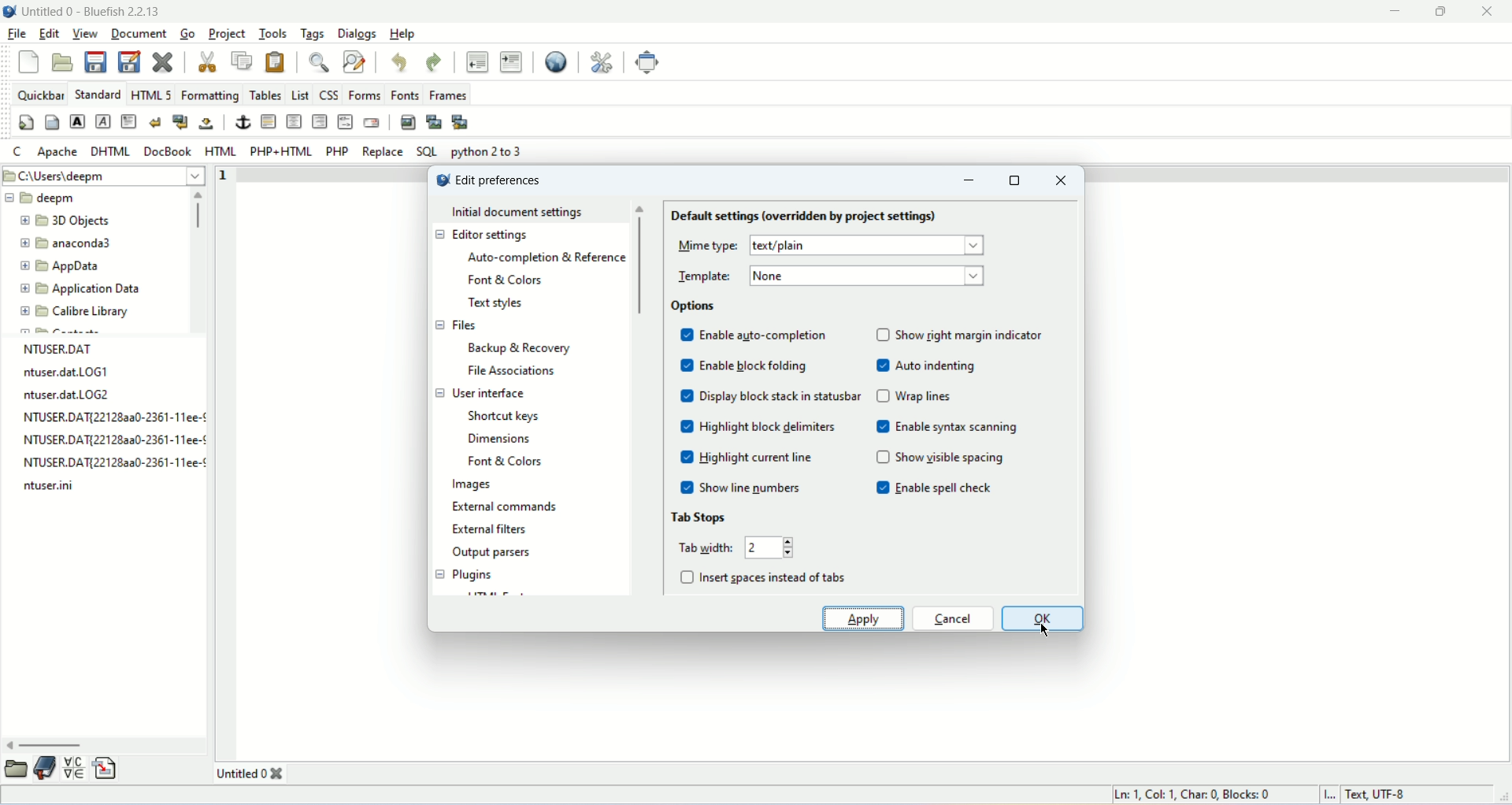  I want to click on C, so click(17, 152).